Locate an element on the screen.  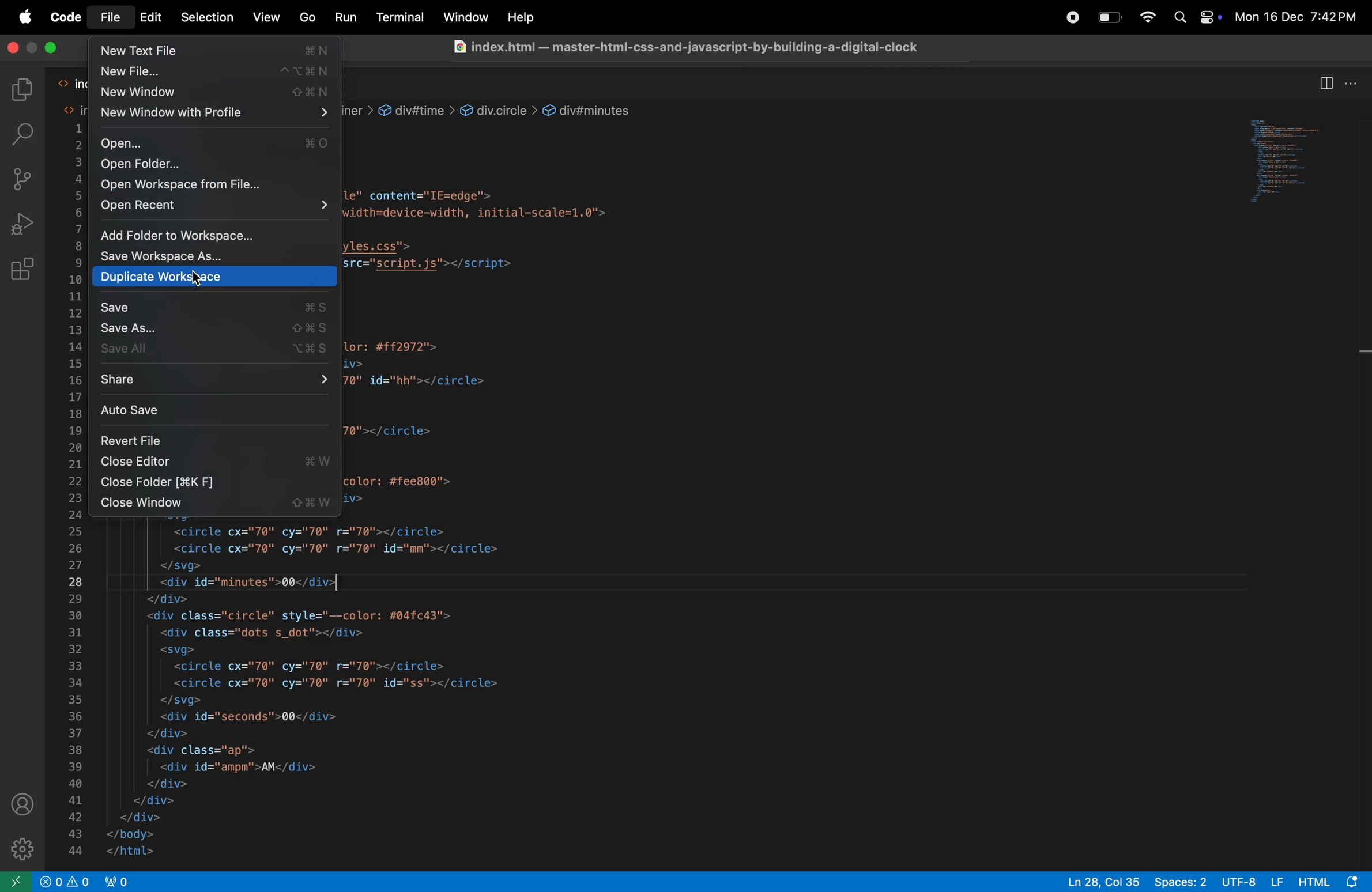
save workspace is located at coordinates (212, 258).